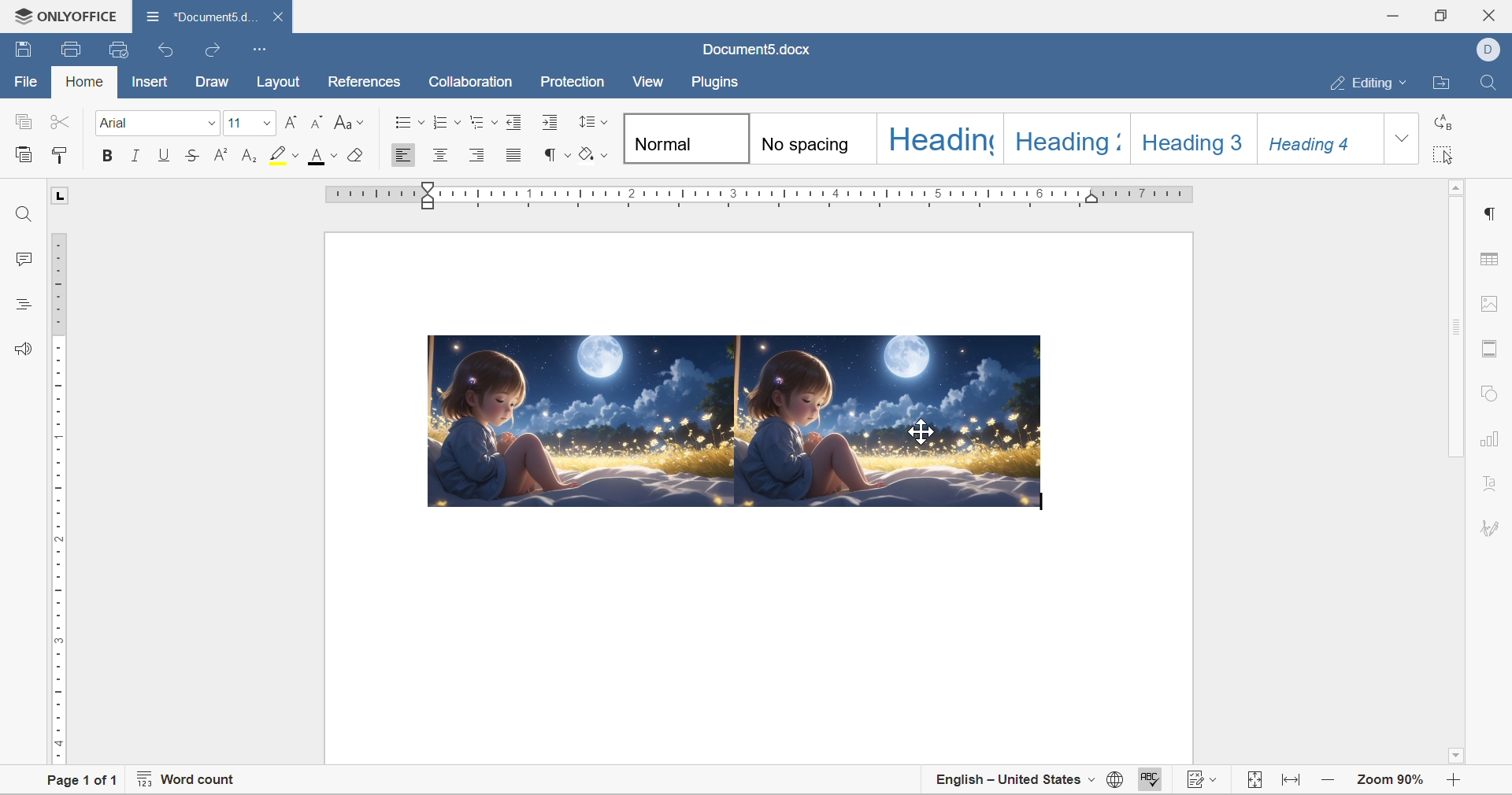 This screenshot has height=795, width=1512. I want to click on undo, so click(167, 50).